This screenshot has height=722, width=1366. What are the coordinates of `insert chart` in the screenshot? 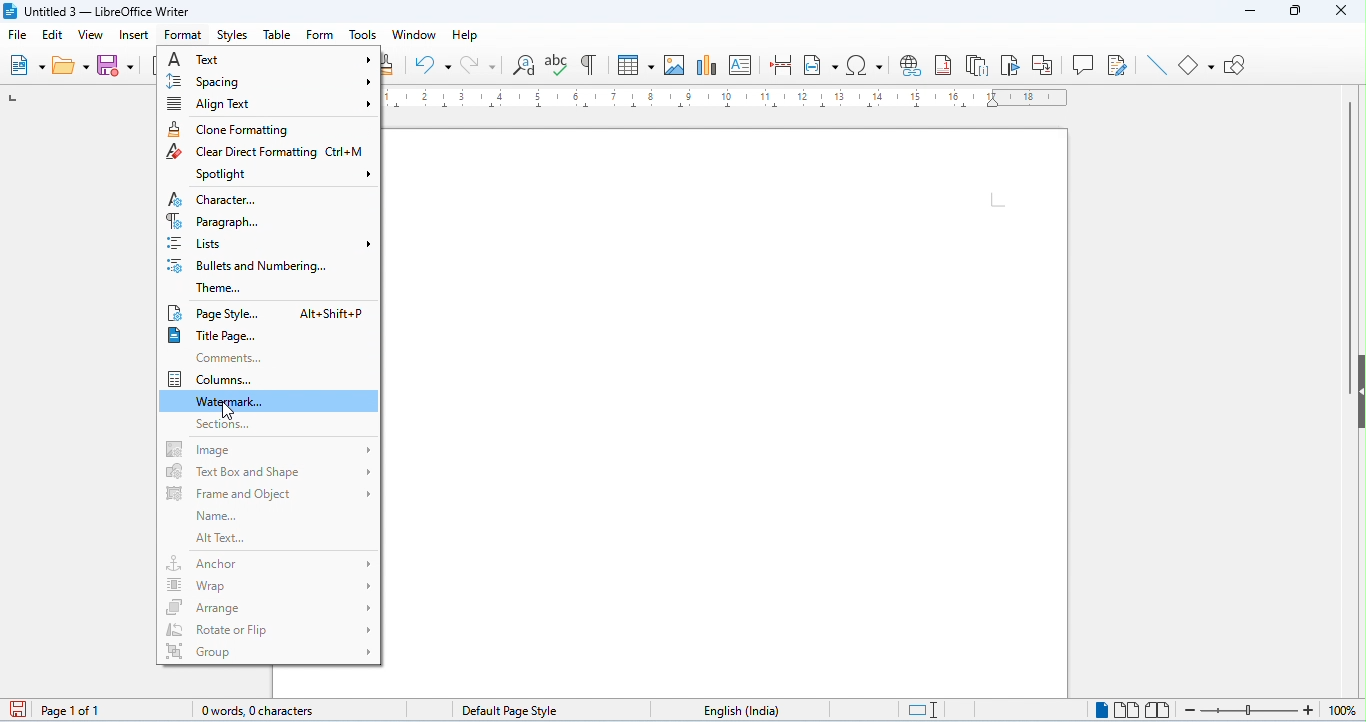 It's located at (708, 63).